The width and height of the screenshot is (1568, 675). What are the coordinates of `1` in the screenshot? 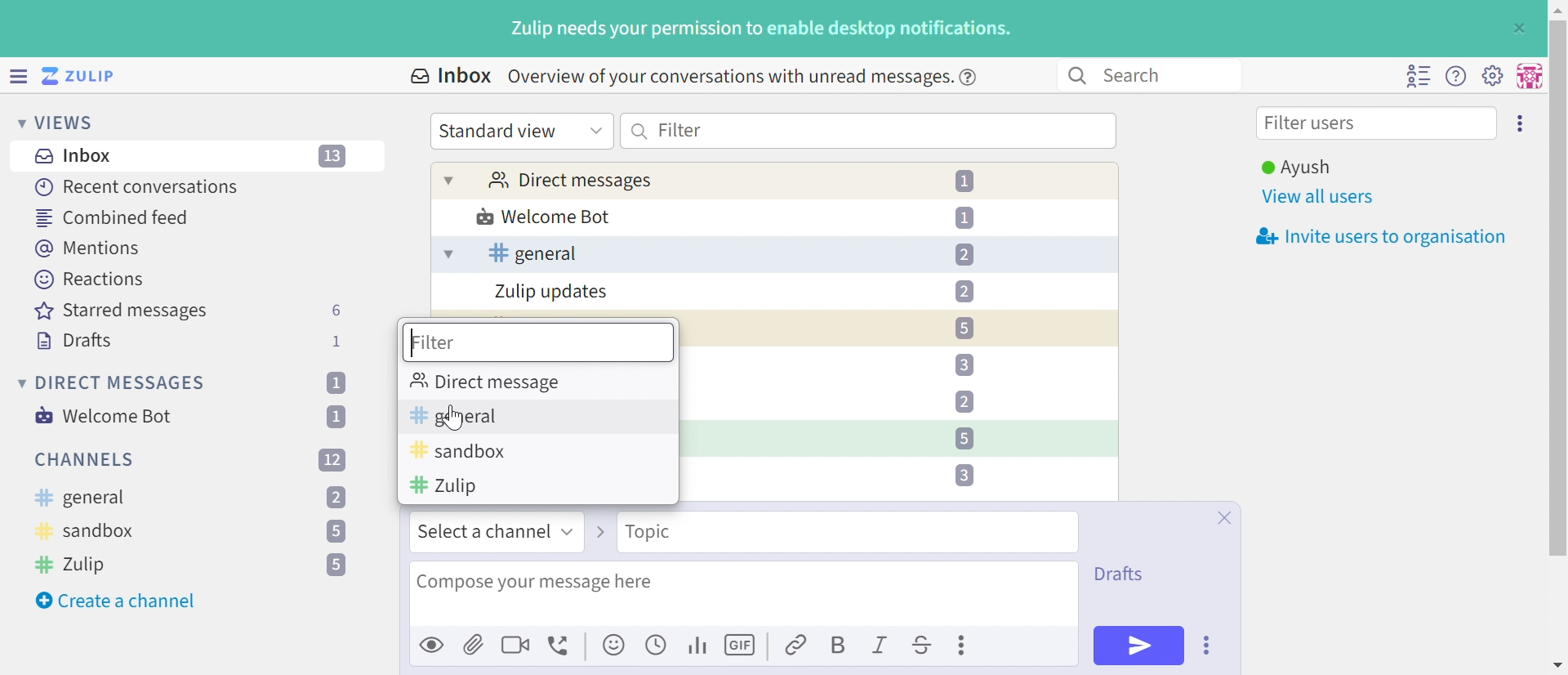 It's located at (968, 181).